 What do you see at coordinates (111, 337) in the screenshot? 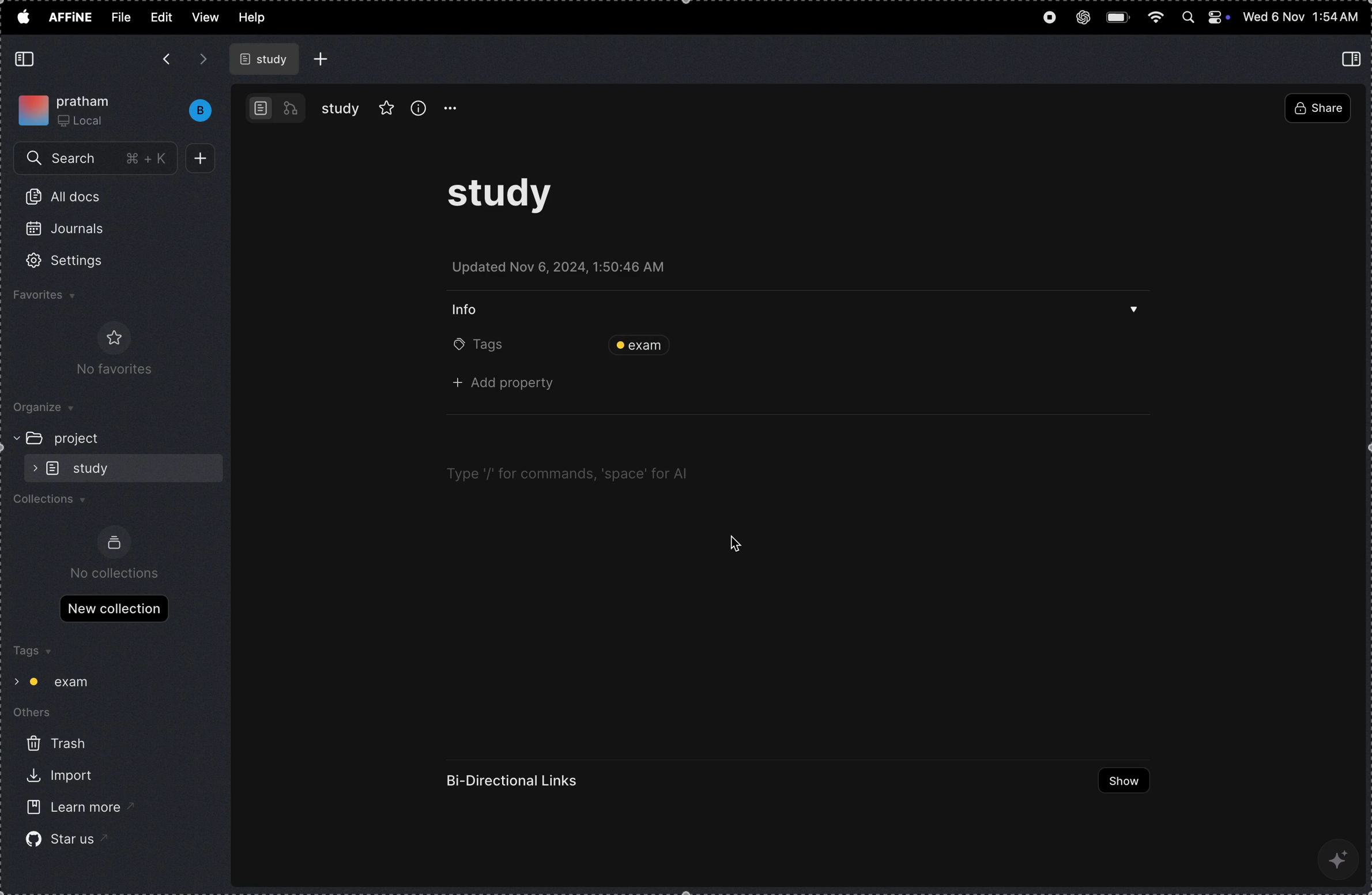
I see `favorite logo` at bounding box center [111, 337].